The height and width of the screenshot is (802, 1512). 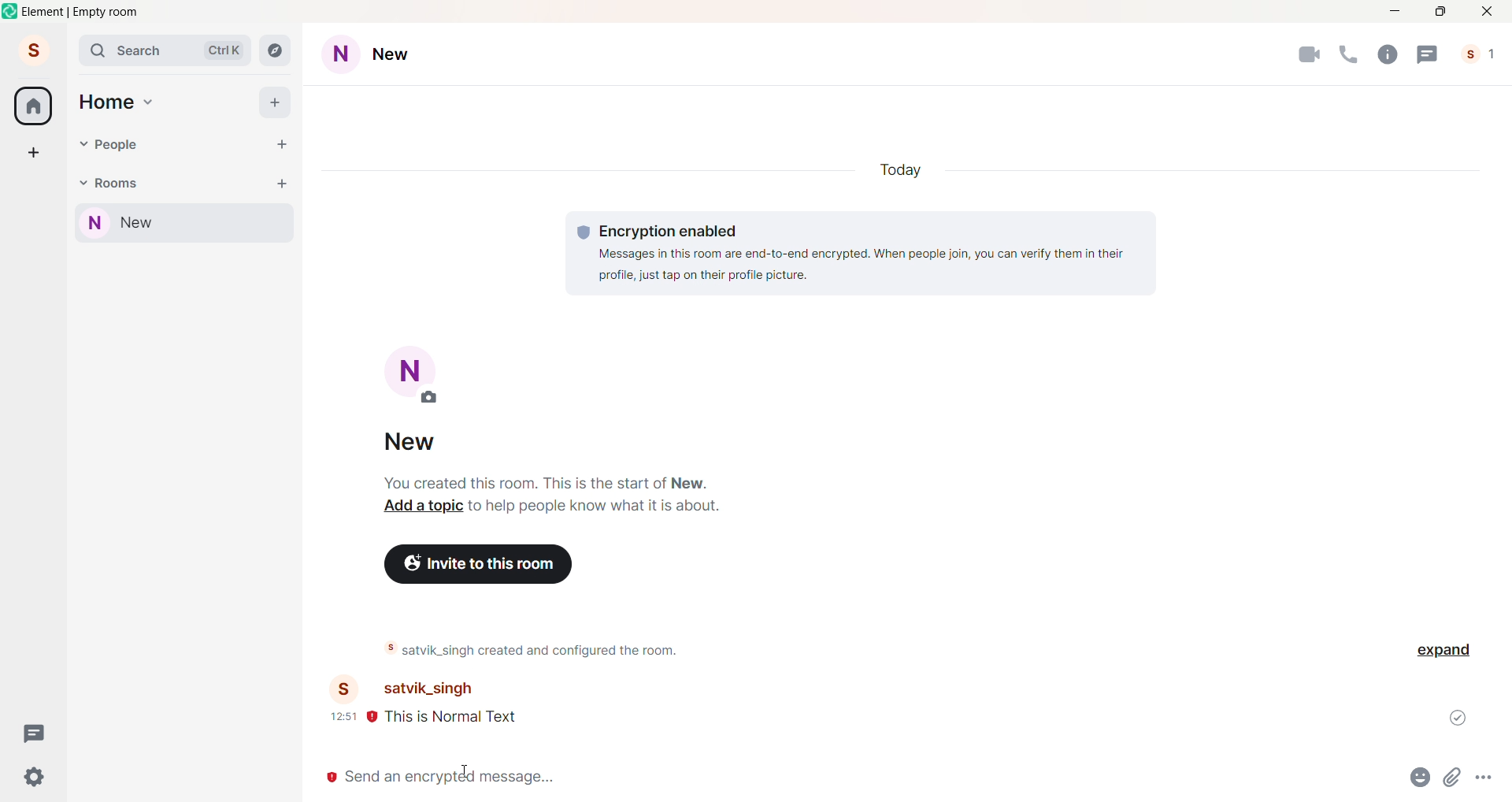 I want to click on Rooms, so click(x=119, y=182).